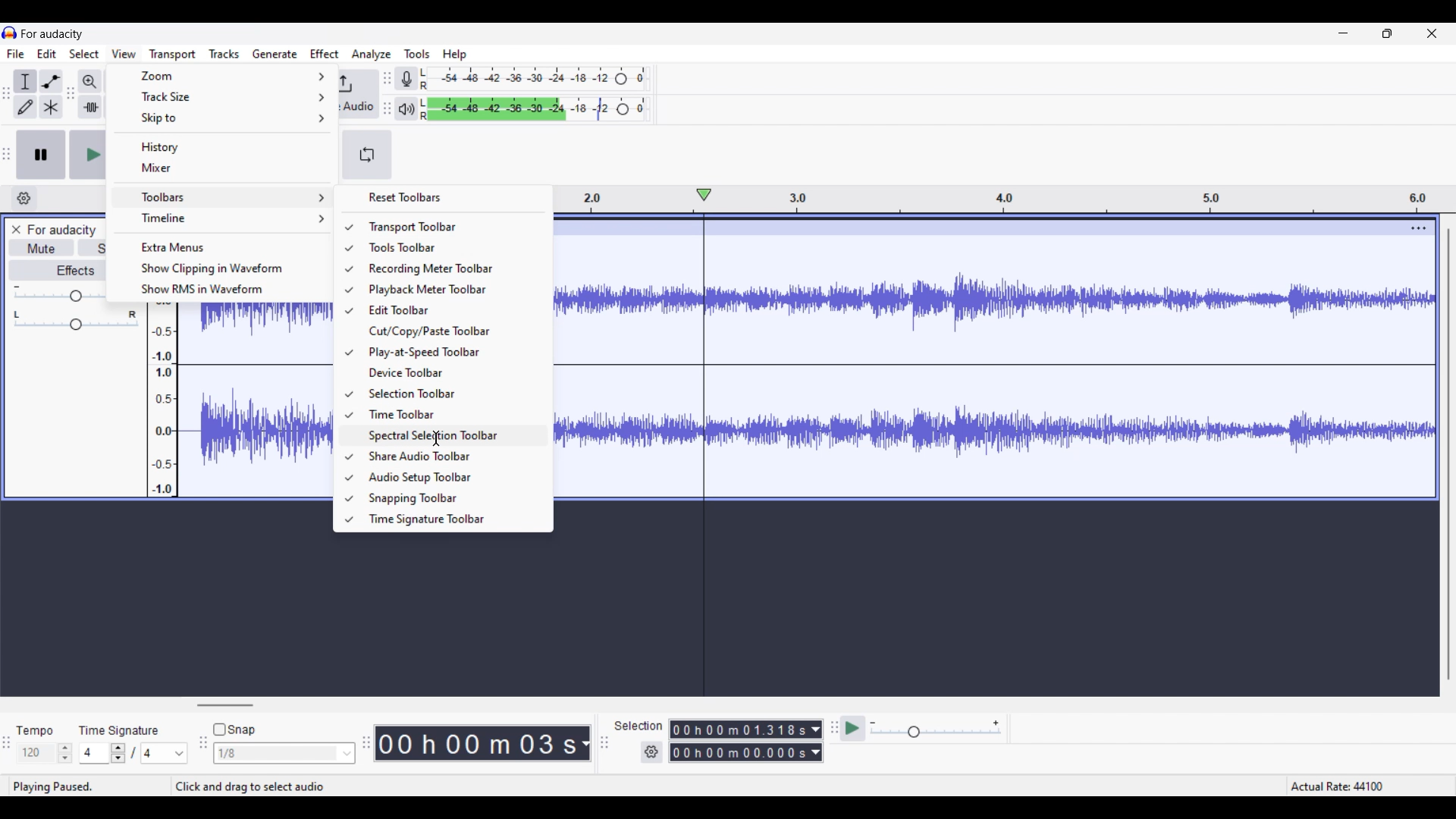  Describe the element at coordinates (224, 218) in the screenshot. I see `Timeline options` at that location.